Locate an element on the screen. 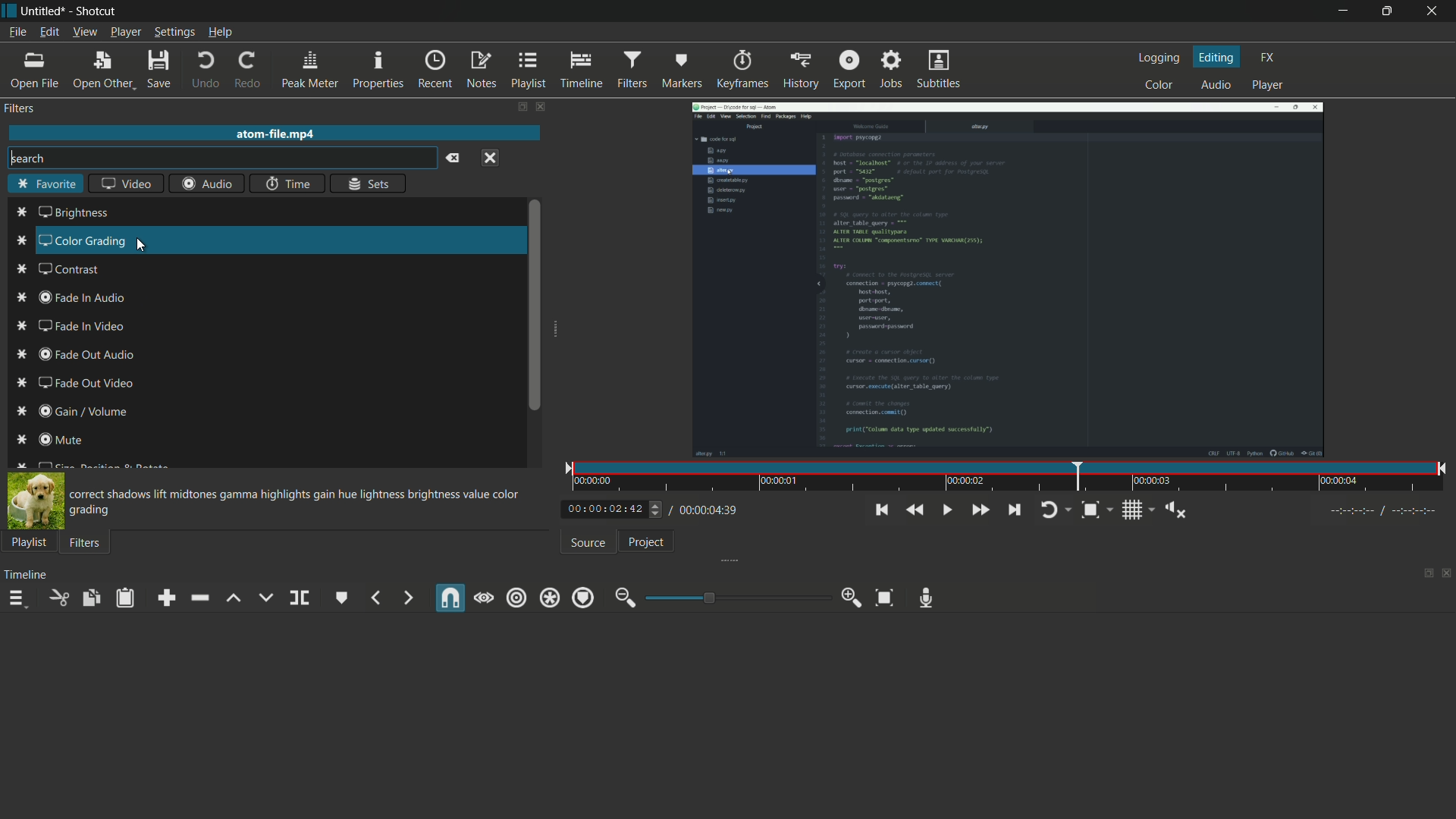  redo is located at coordinates (249, 71).